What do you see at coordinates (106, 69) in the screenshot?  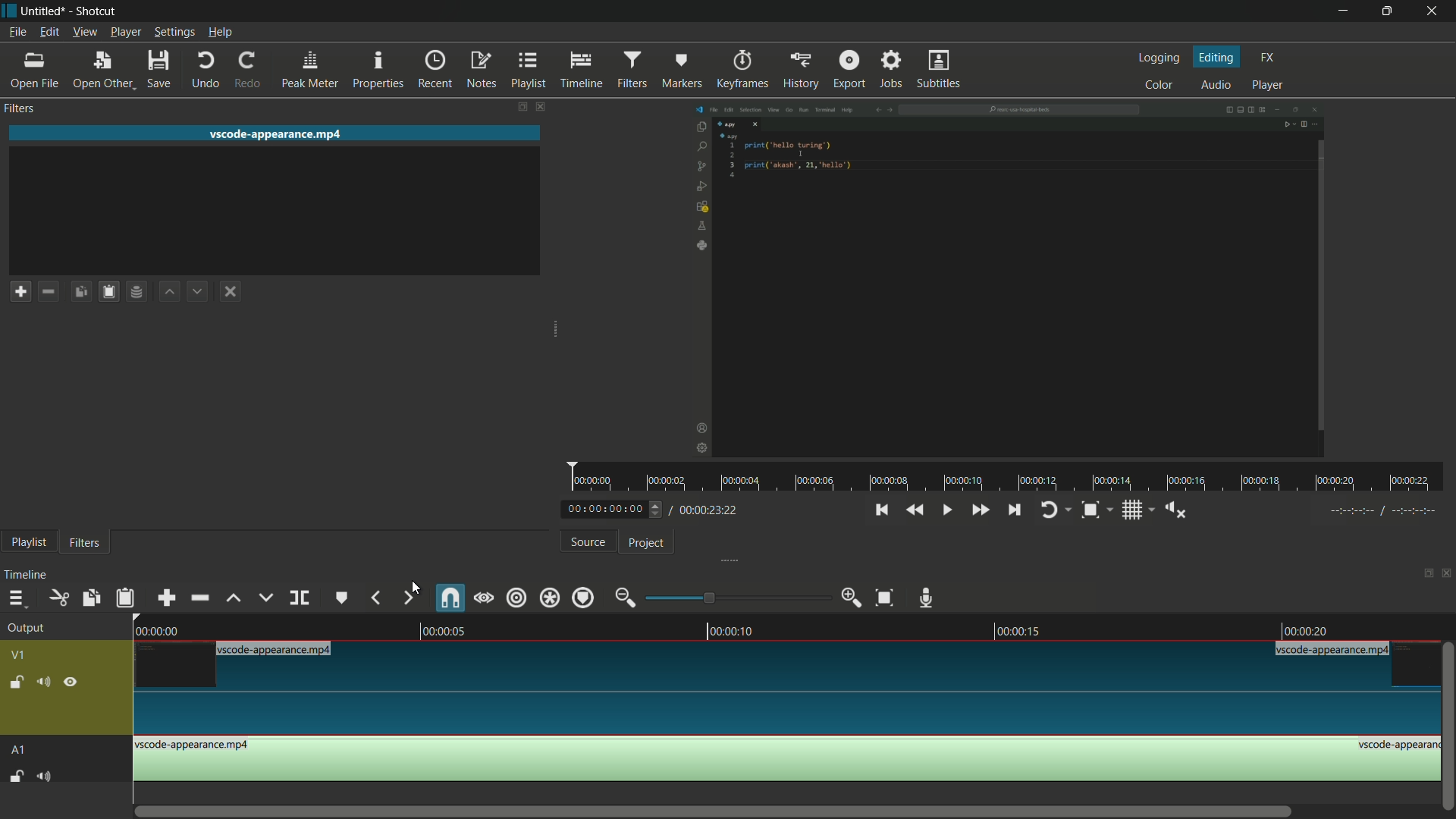 I see `open other` at bounding box center [106, 69].